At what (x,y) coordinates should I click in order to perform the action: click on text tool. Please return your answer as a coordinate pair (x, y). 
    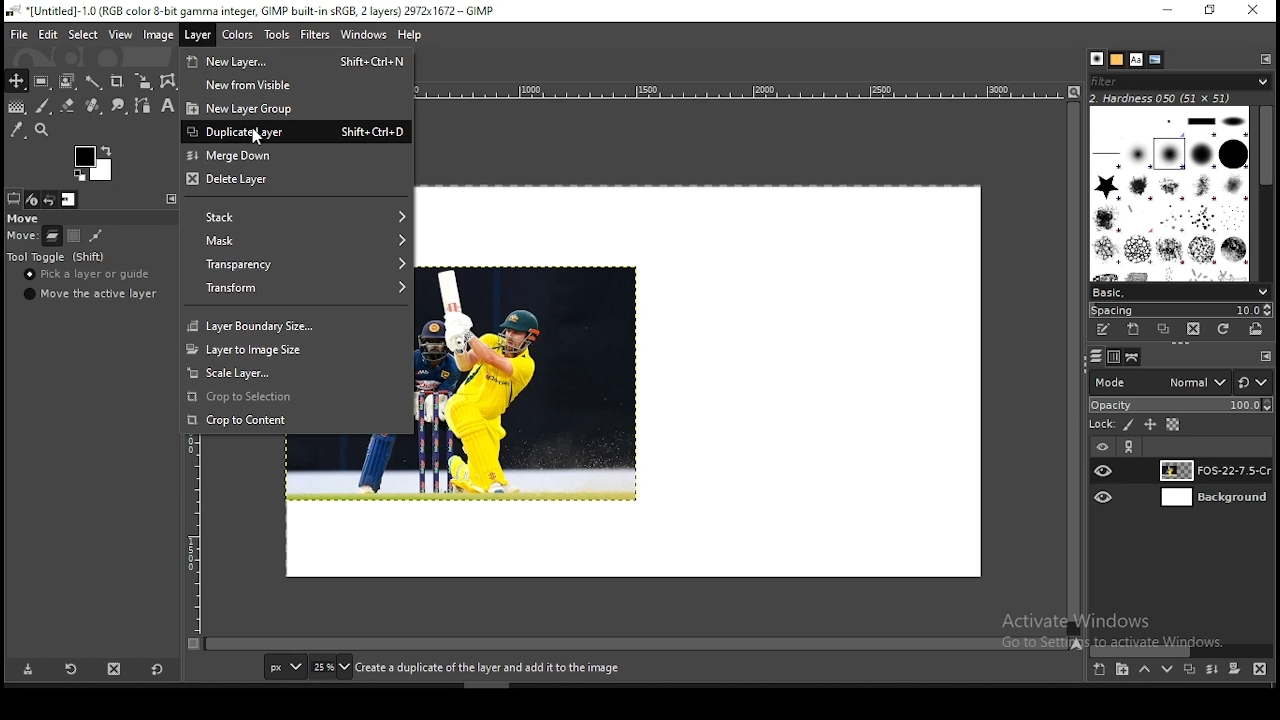
    Looking at the image, I should click on (164, 107).